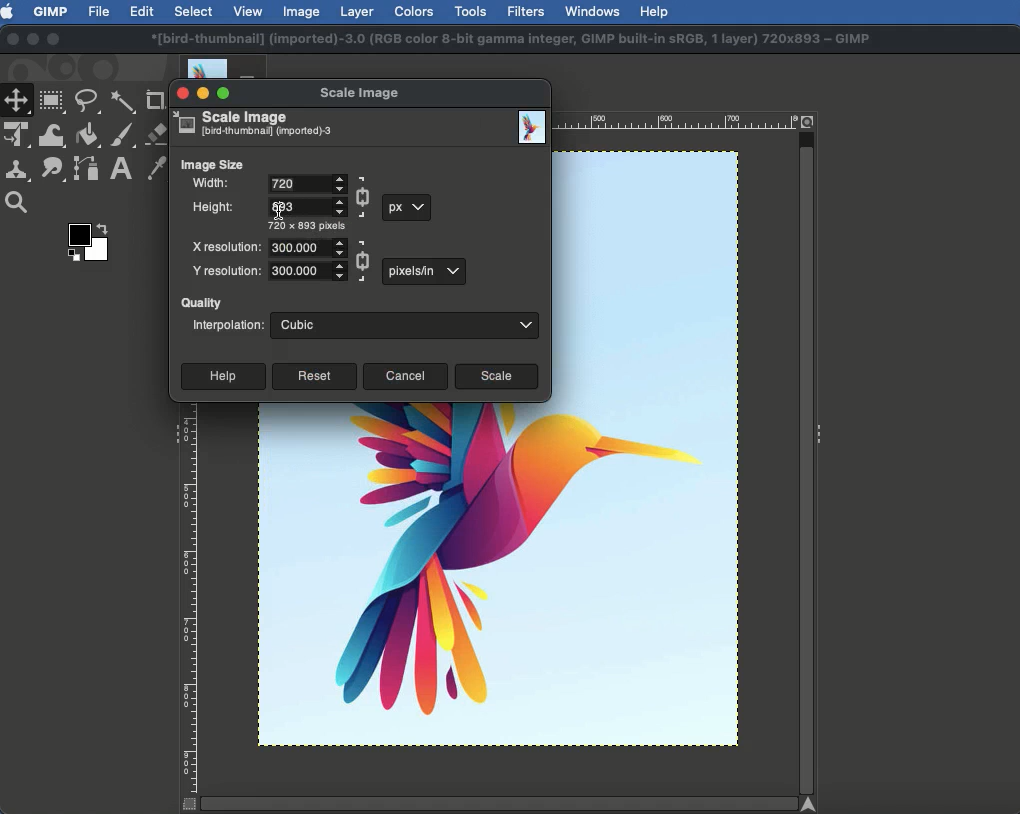  I want to click on Quality, so click(200, 300).